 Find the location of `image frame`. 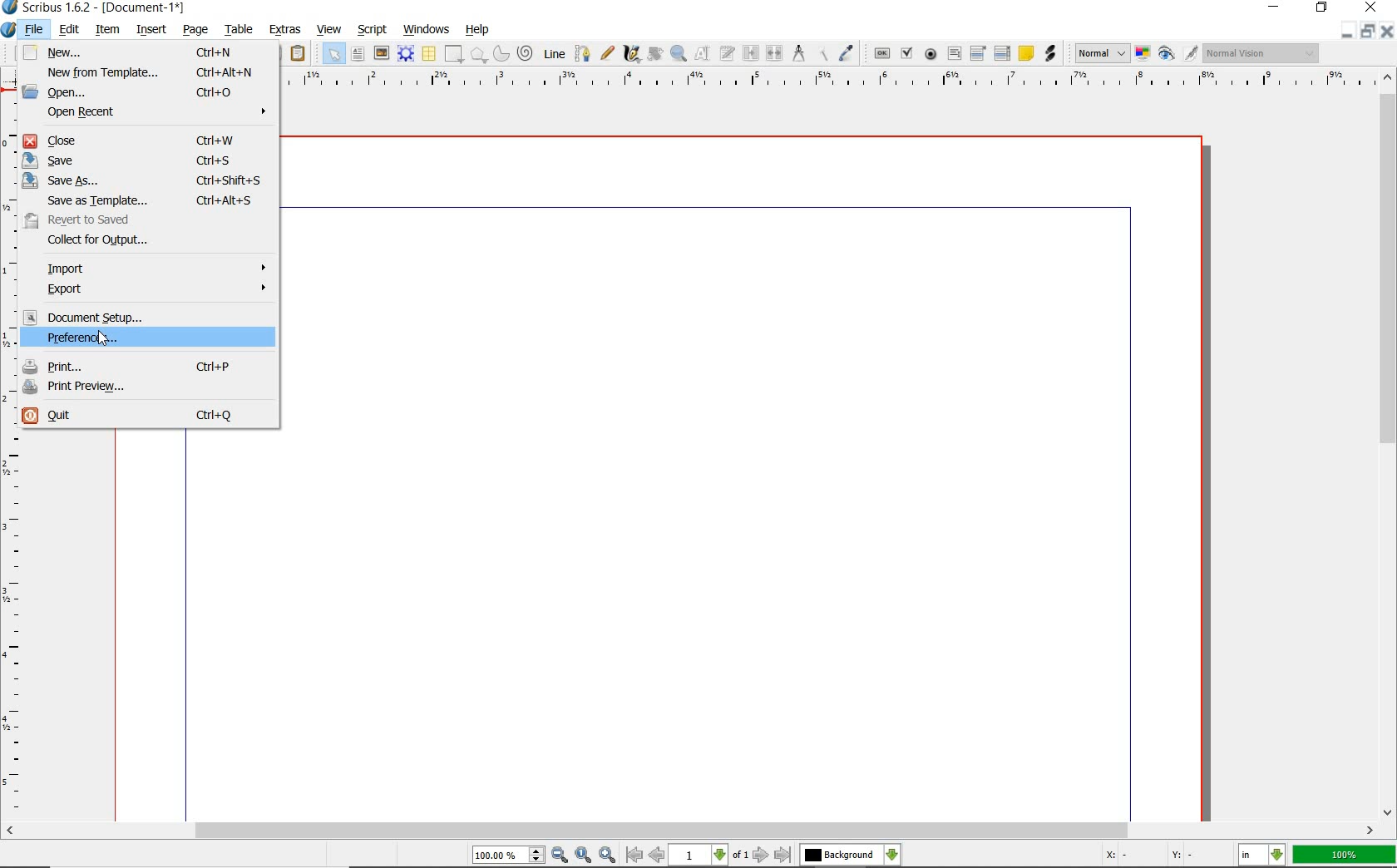

image frame is located at coordinates (380, 52).